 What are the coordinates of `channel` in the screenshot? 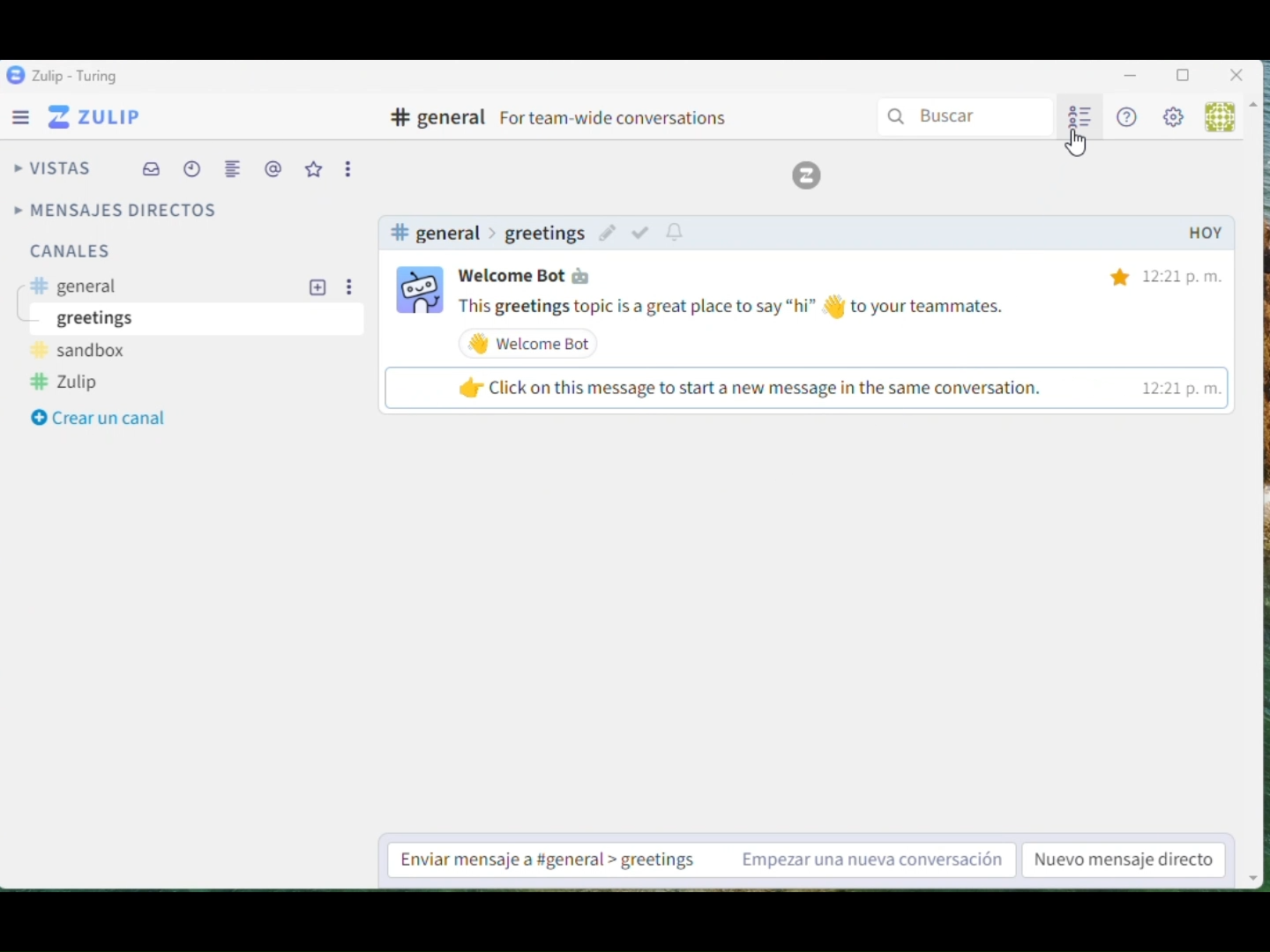 It's located at (487, 232).